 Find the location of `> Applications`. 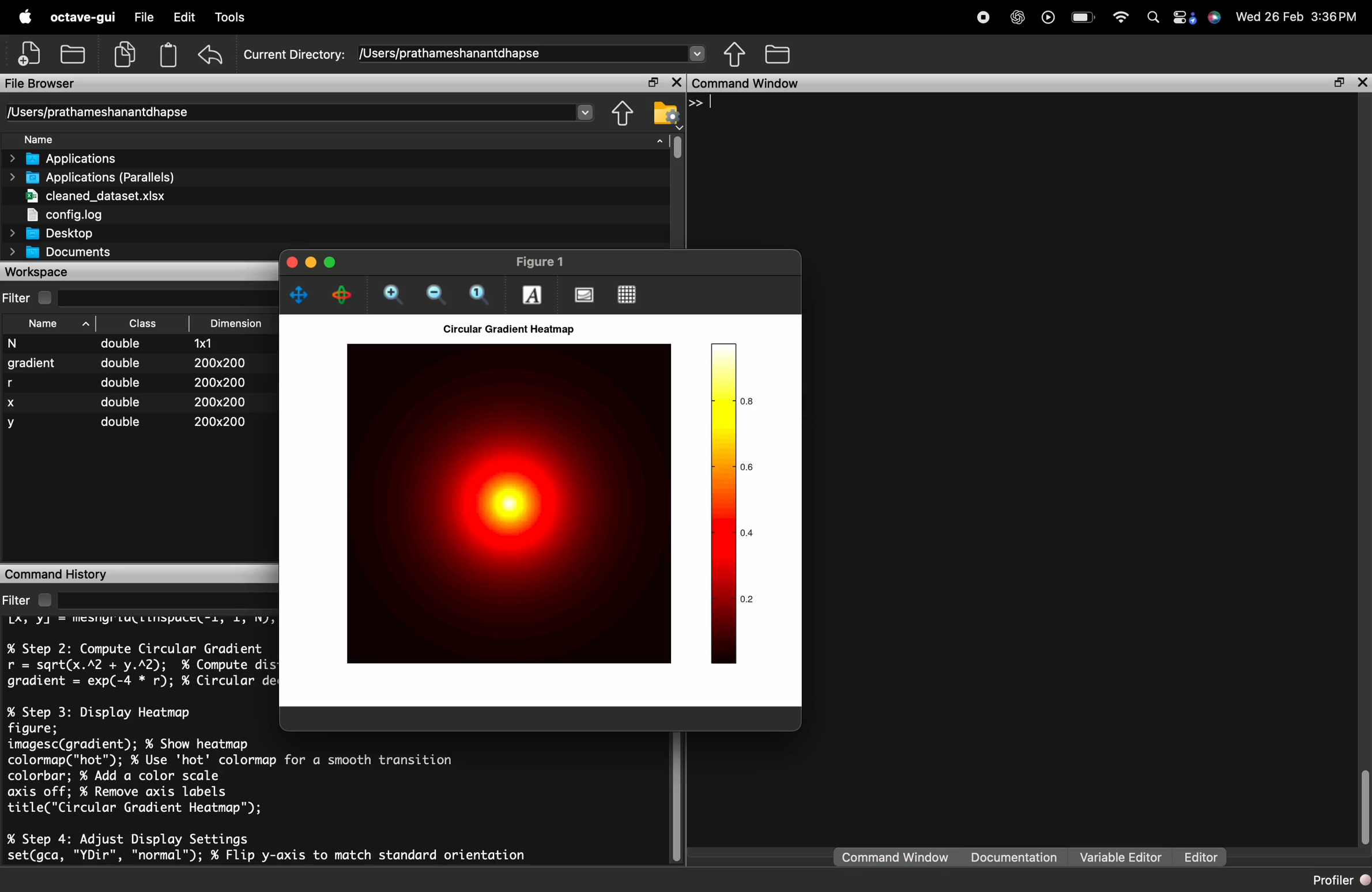

> Applications is located at coordinates (84, 158).